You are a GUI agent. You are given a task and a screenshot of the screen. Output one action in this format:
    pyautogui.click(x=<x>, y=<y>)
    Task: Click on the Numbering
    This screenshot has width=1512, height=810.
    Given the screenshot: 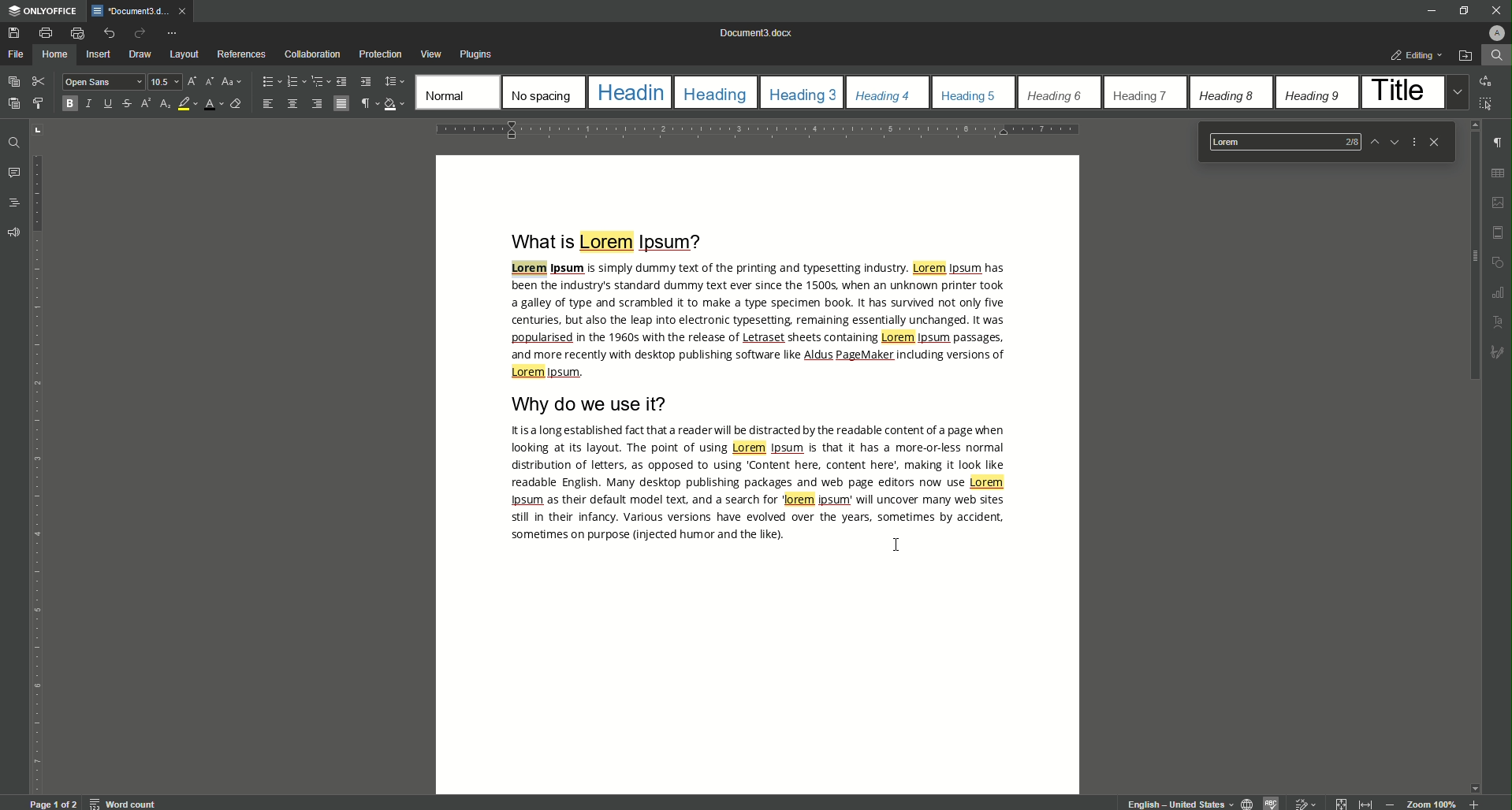 What is the action you would take?
    pyautogui.click(x=292, y=82)
    